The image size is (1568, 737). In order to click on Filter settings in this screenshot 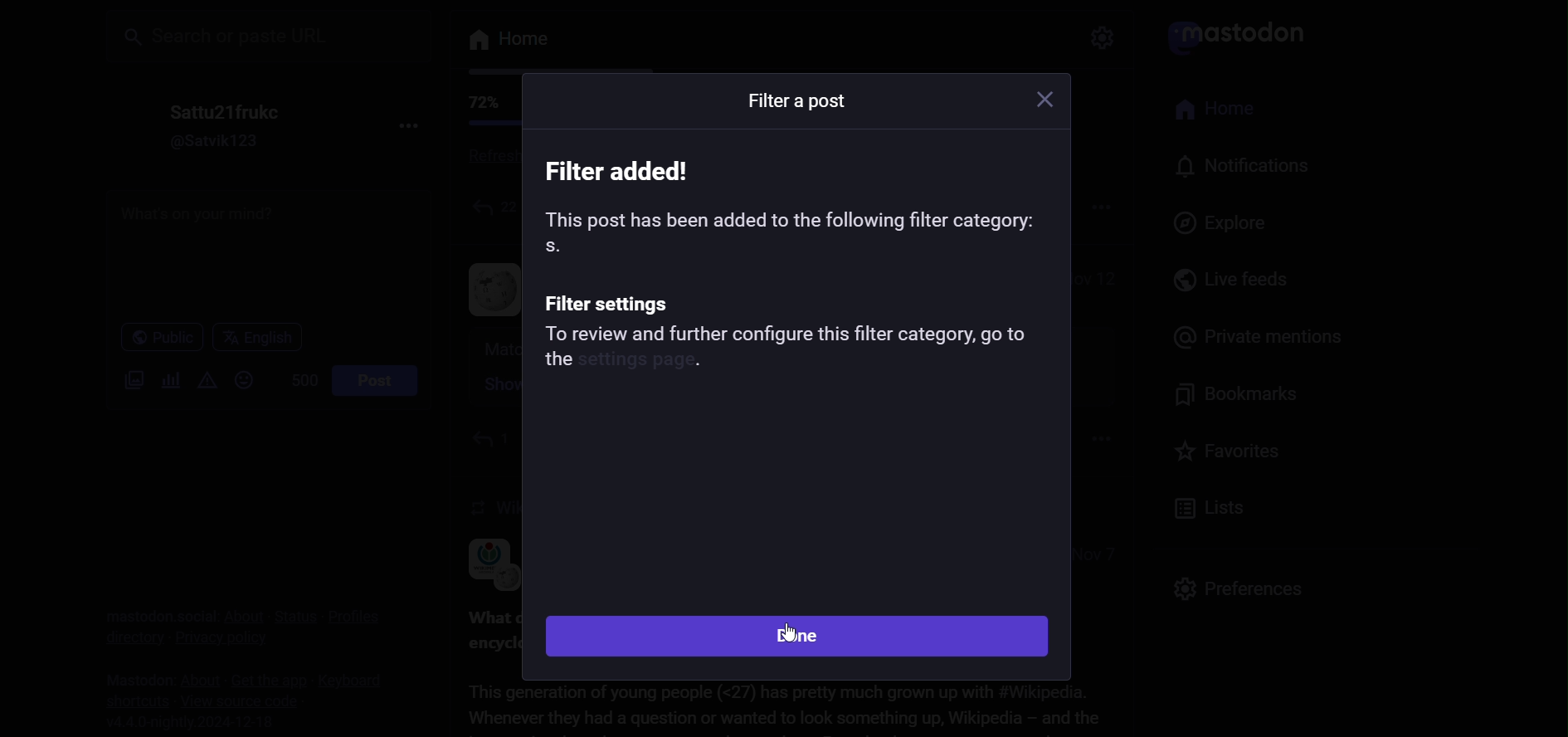, I will do `click(616, 303)`.